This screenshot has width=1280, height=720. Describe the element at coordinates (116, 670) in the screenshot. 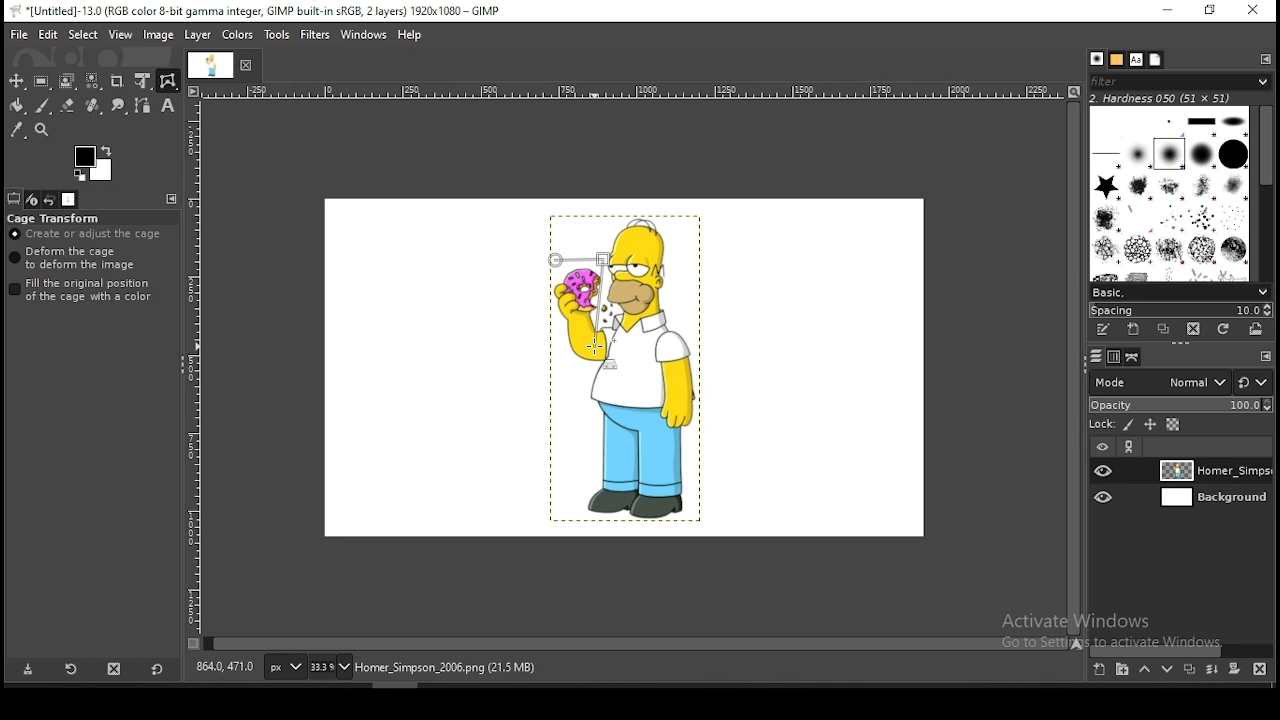

I see `delete tool preset` at that location.